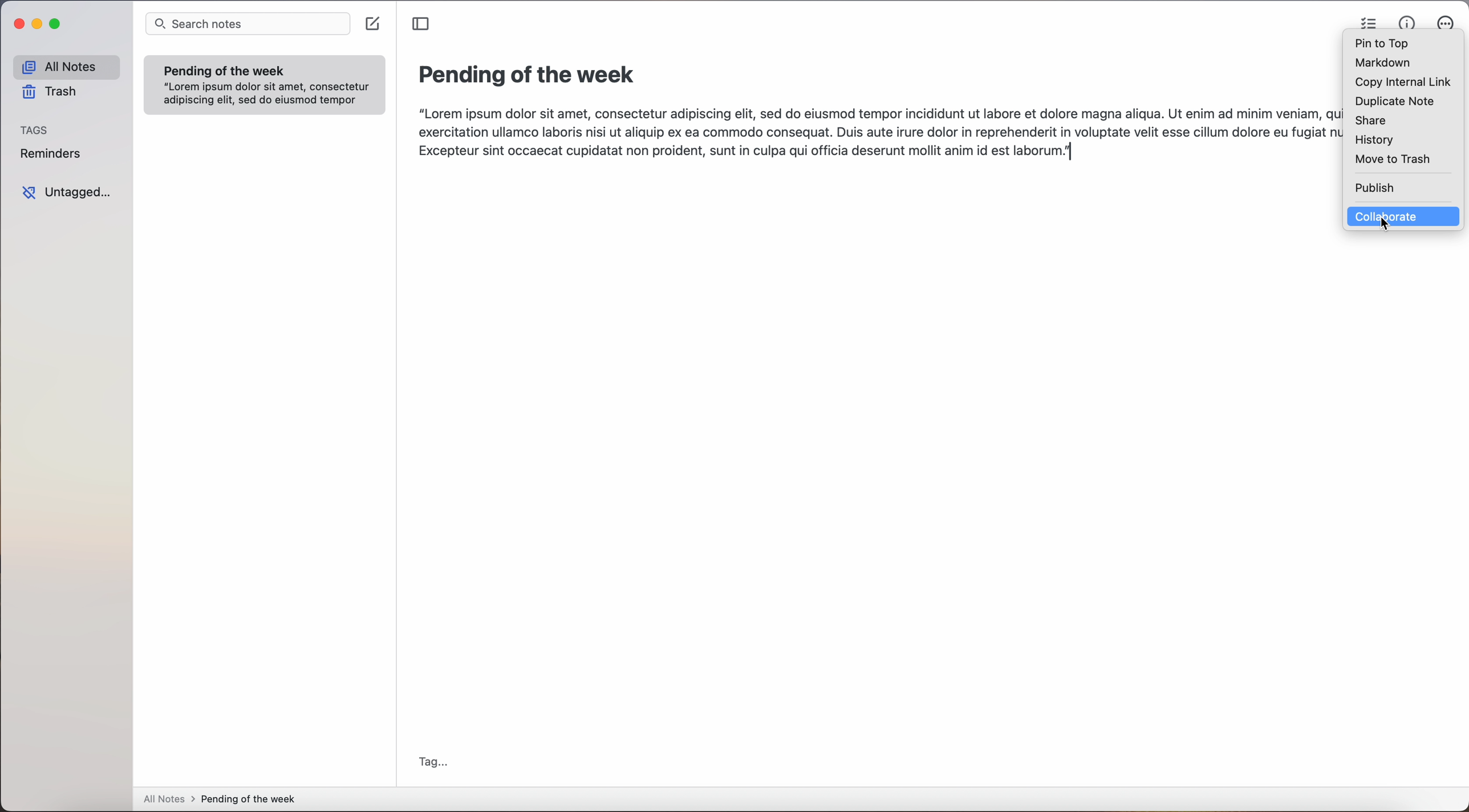 This screenshot has height=812, width=1469. Describe the element at coordinates (249, 23) in the screenshot. I see `search notes` at that location.